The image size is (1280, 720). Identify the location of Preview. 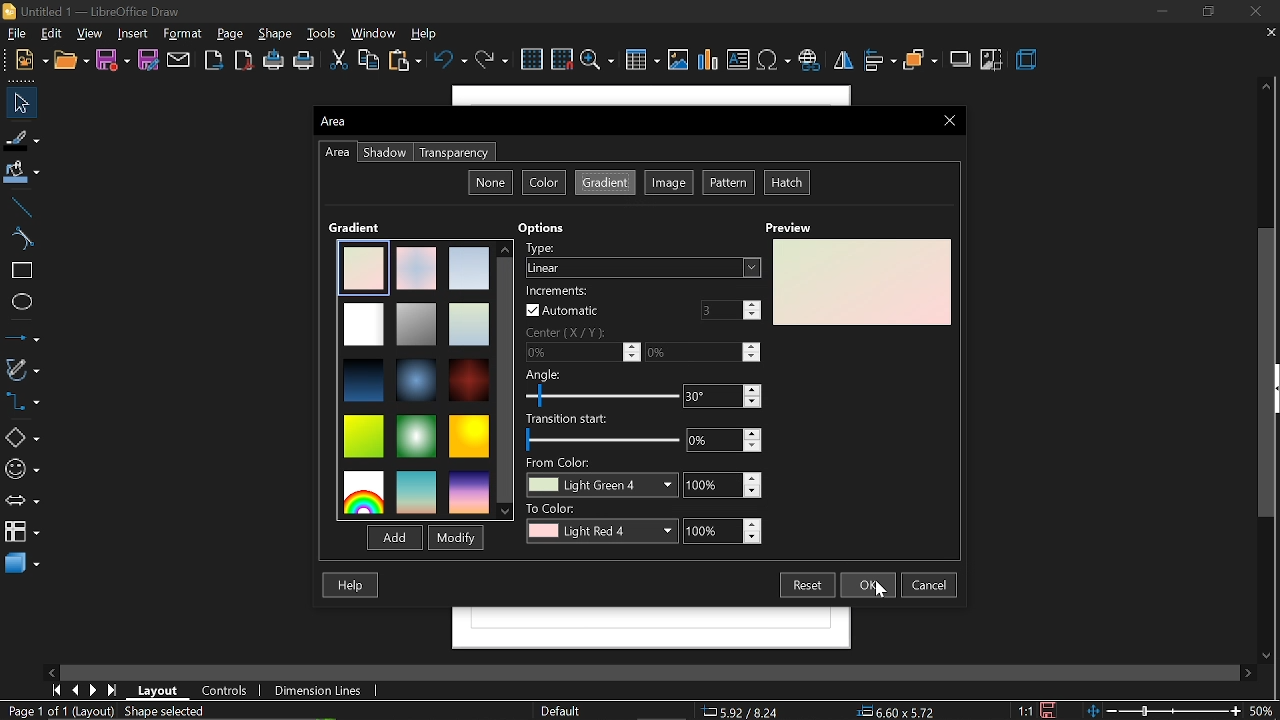
(862, 283).